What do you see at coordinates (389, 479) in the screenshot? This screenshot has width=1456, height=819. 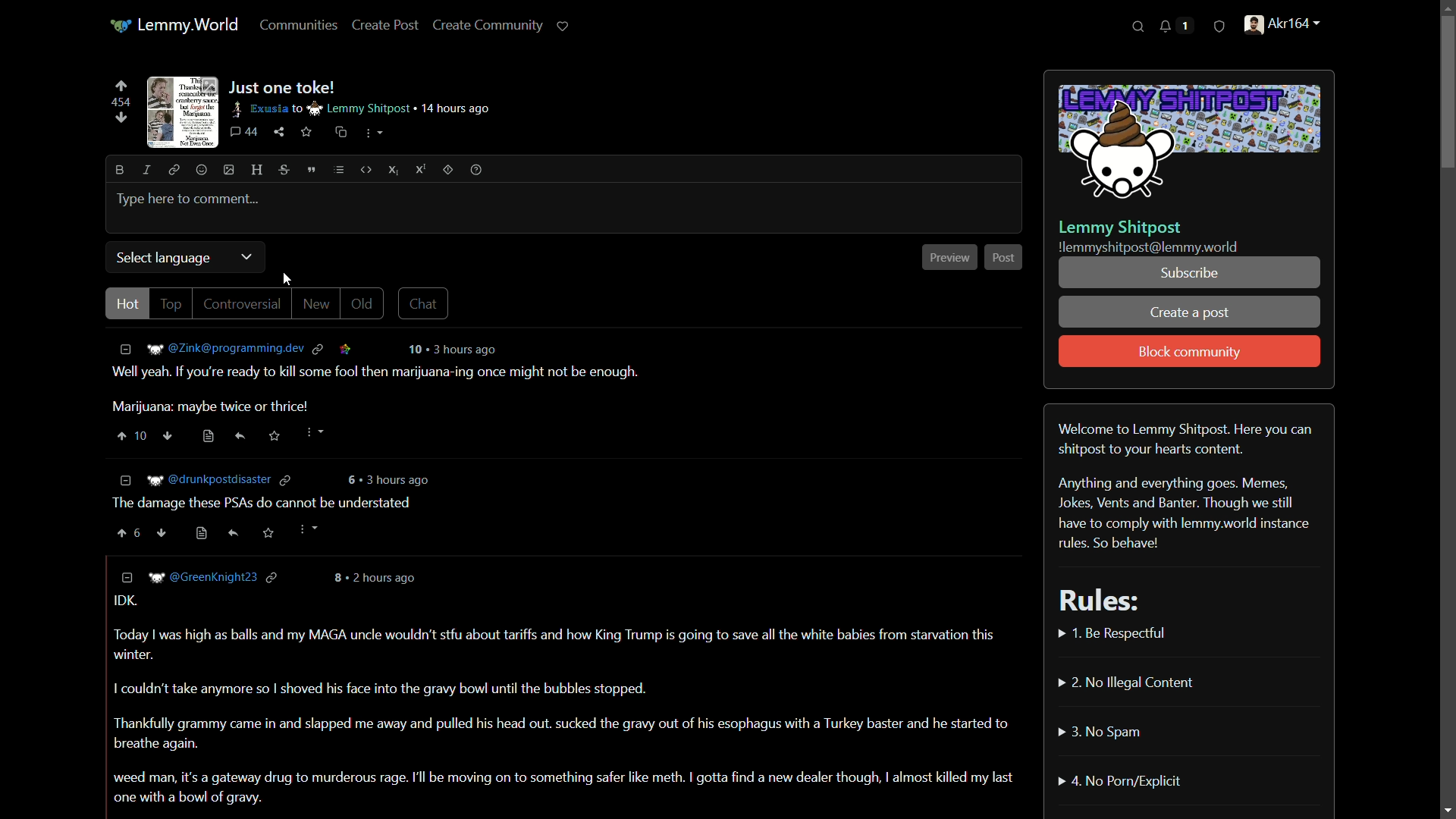 I see `6 3 hours ago` at bounding box center [389, 479].